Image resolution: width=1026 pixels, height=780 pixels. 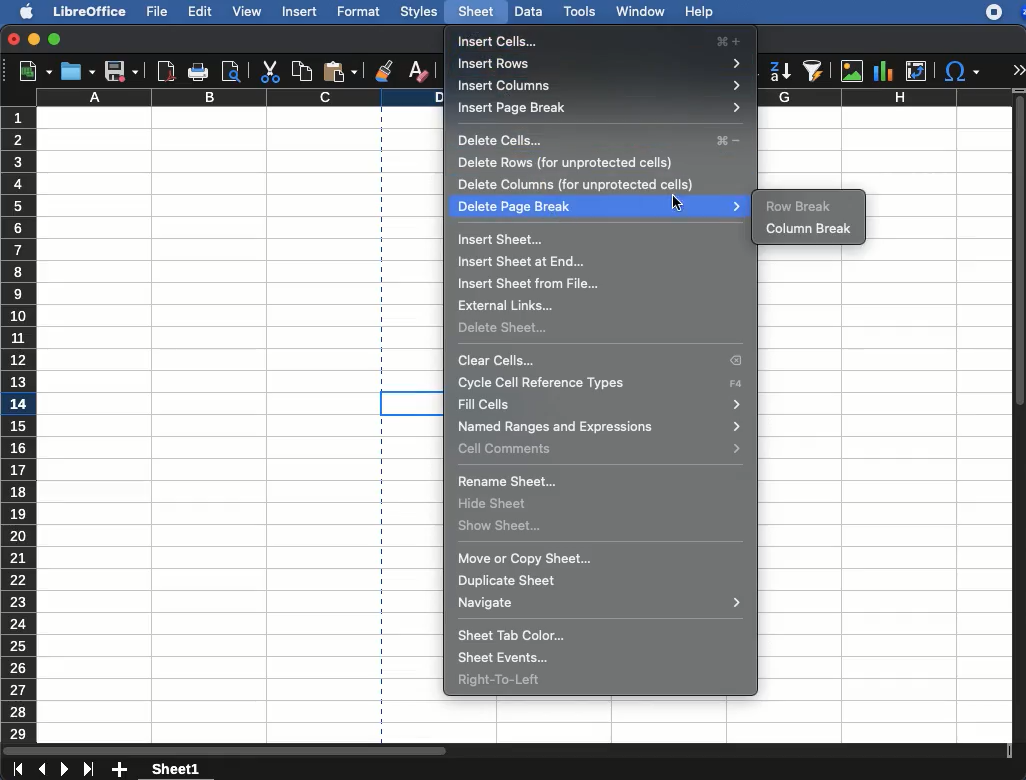 What do you see at coordinates (21, 11) in the screenshot?
I see `apple ` at bounding box center [21, 11].